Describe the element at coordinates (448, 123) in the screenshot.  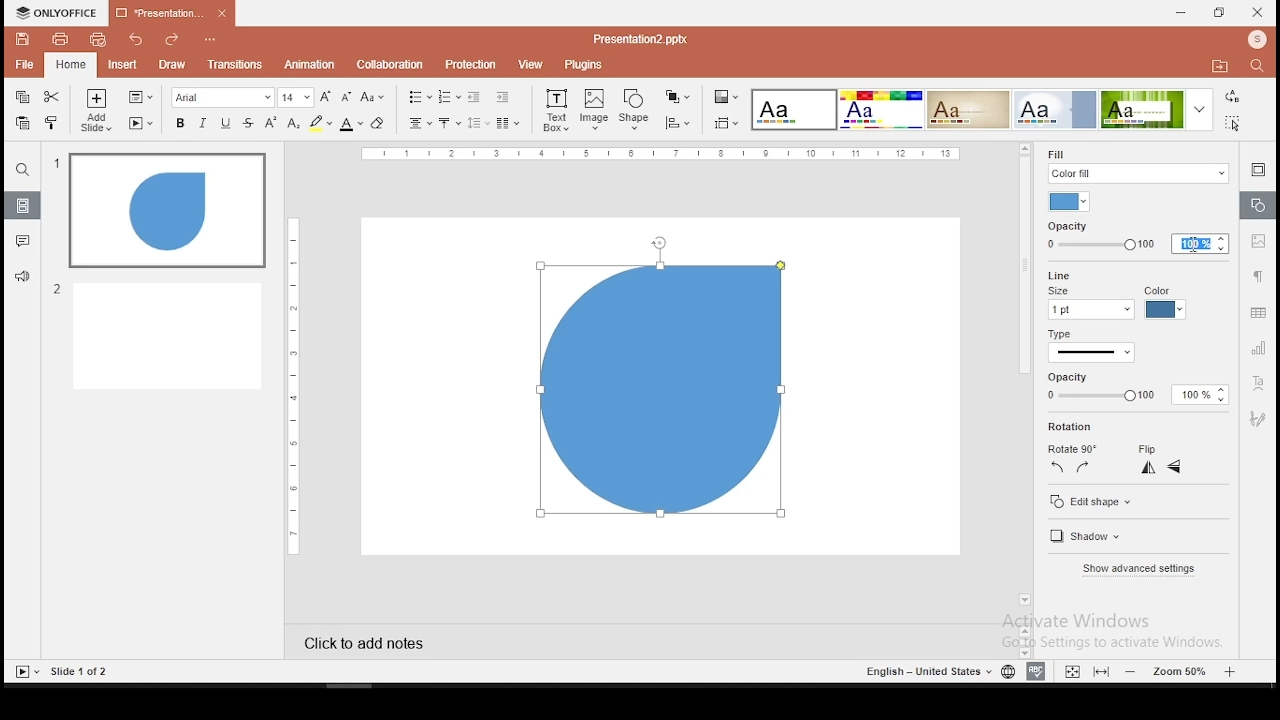
I see `vertical alignment` at that location.